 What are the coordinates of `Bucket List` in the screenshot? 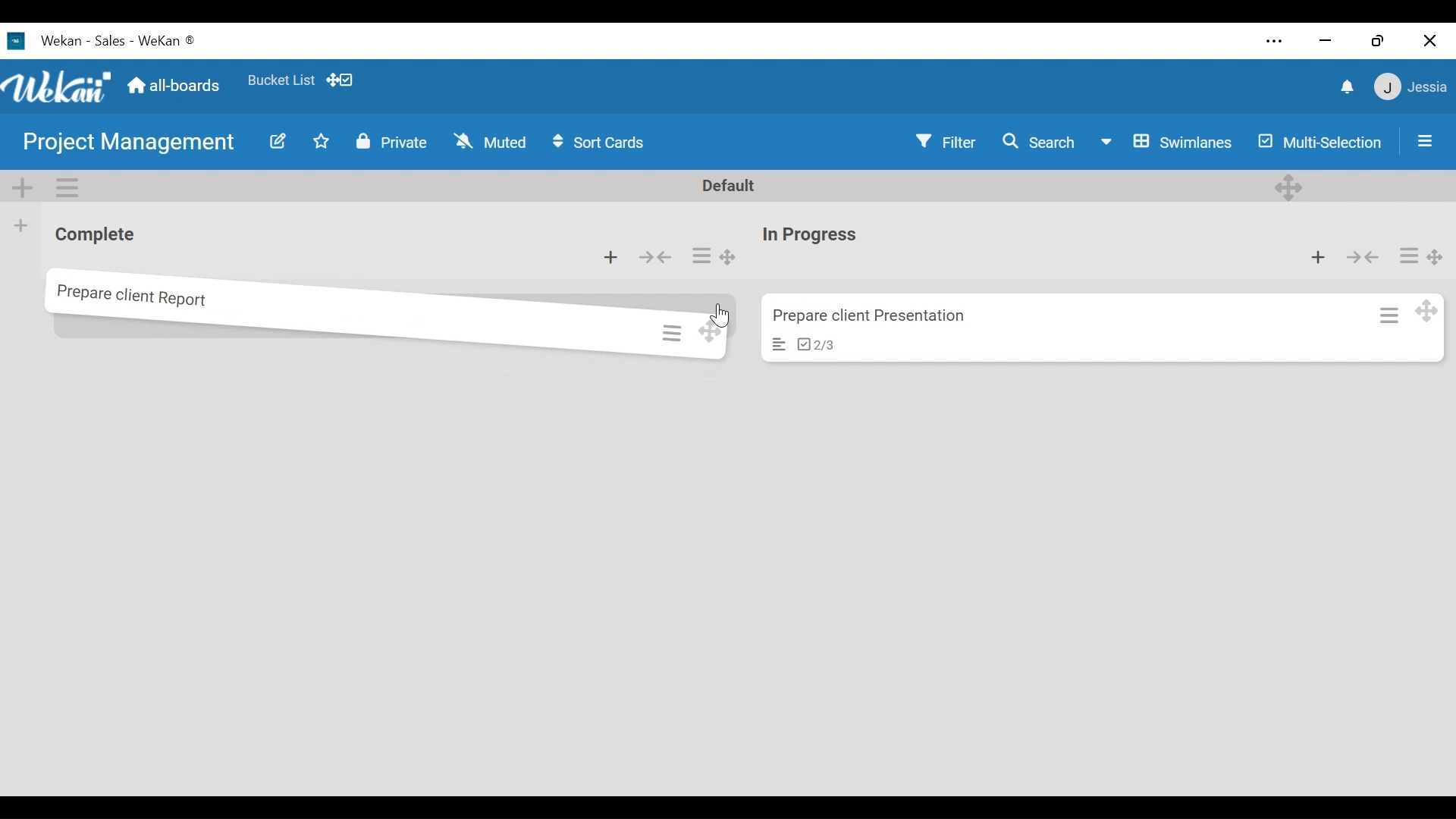 It's located at (281, 79).